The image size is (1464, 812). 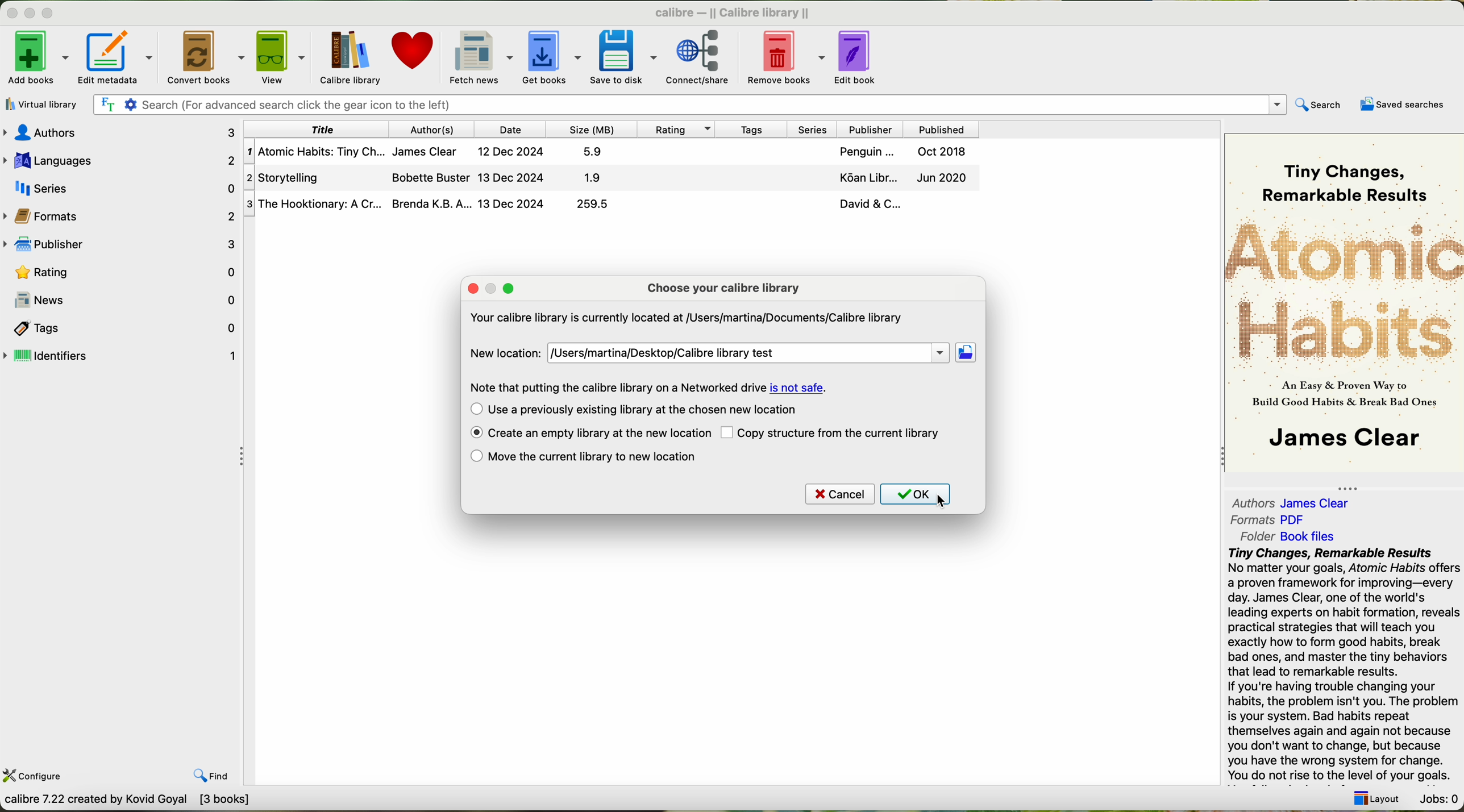 What do you see at coordinates (589, 434) in the screenshot?
I see `enable create an empty library` at bounding box center [589, 434].